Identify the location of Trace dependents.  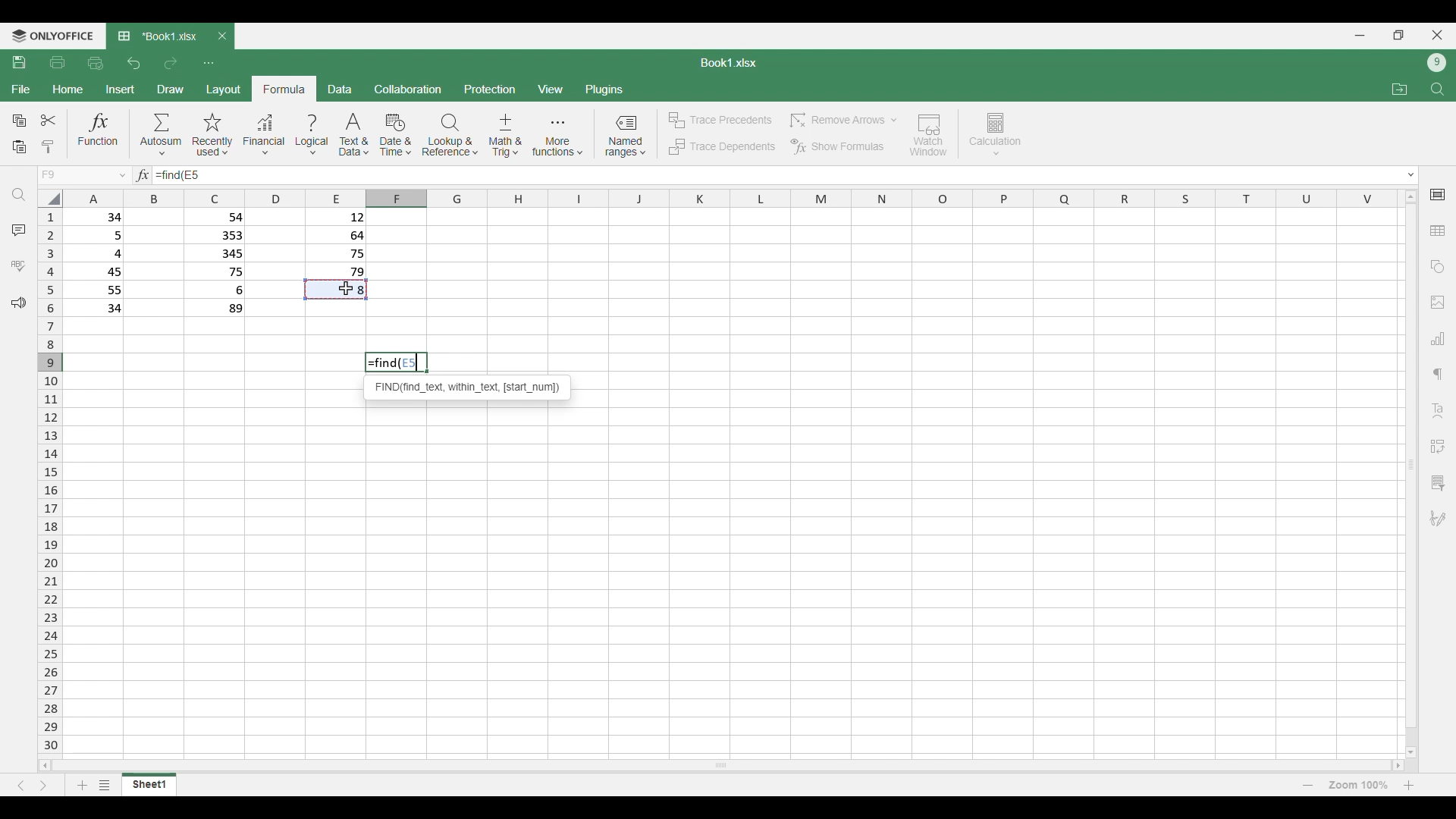
(721, 147).